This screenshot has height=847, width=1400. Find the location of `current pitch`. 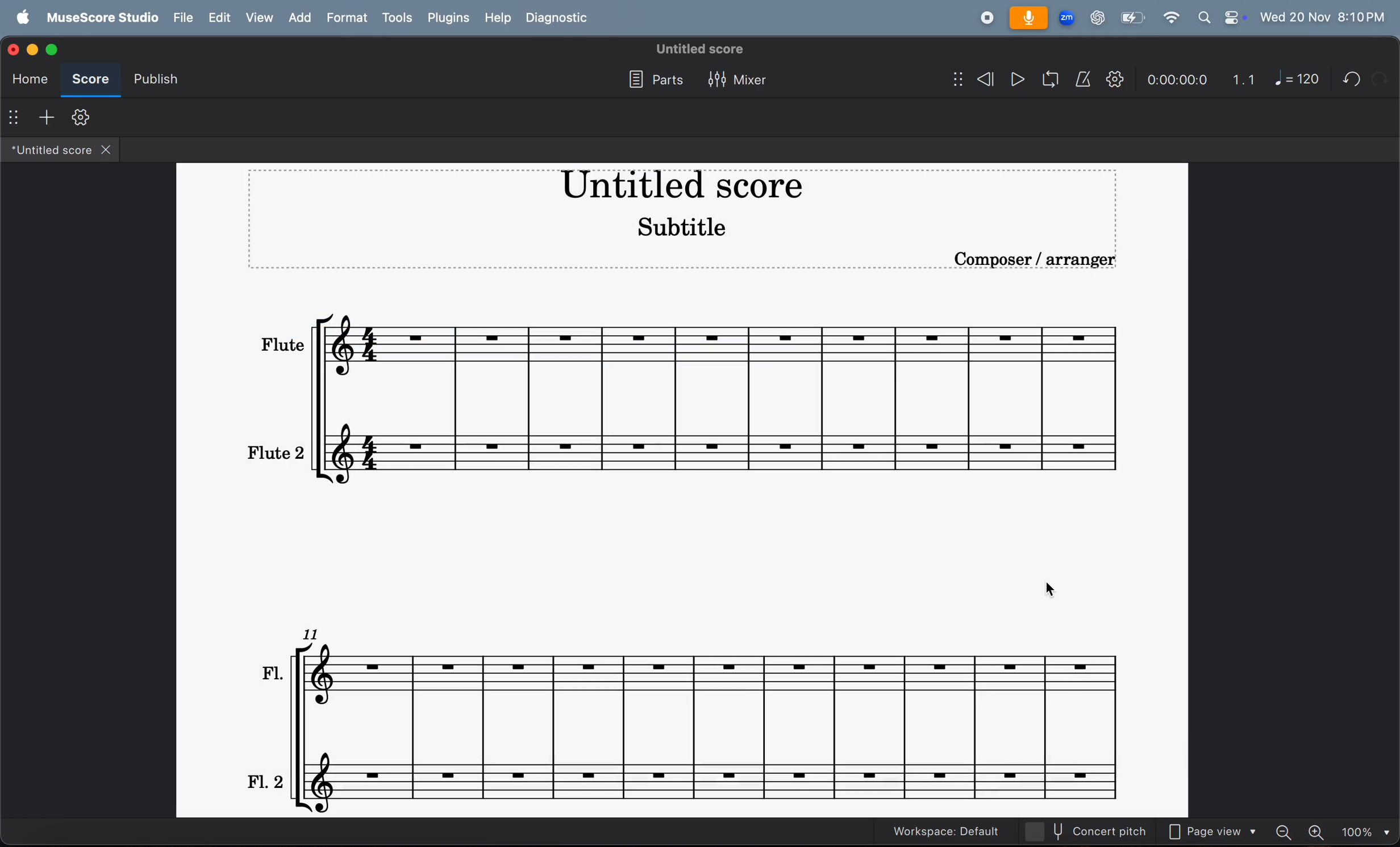

current pitch is located at coordinates (1087, 829).